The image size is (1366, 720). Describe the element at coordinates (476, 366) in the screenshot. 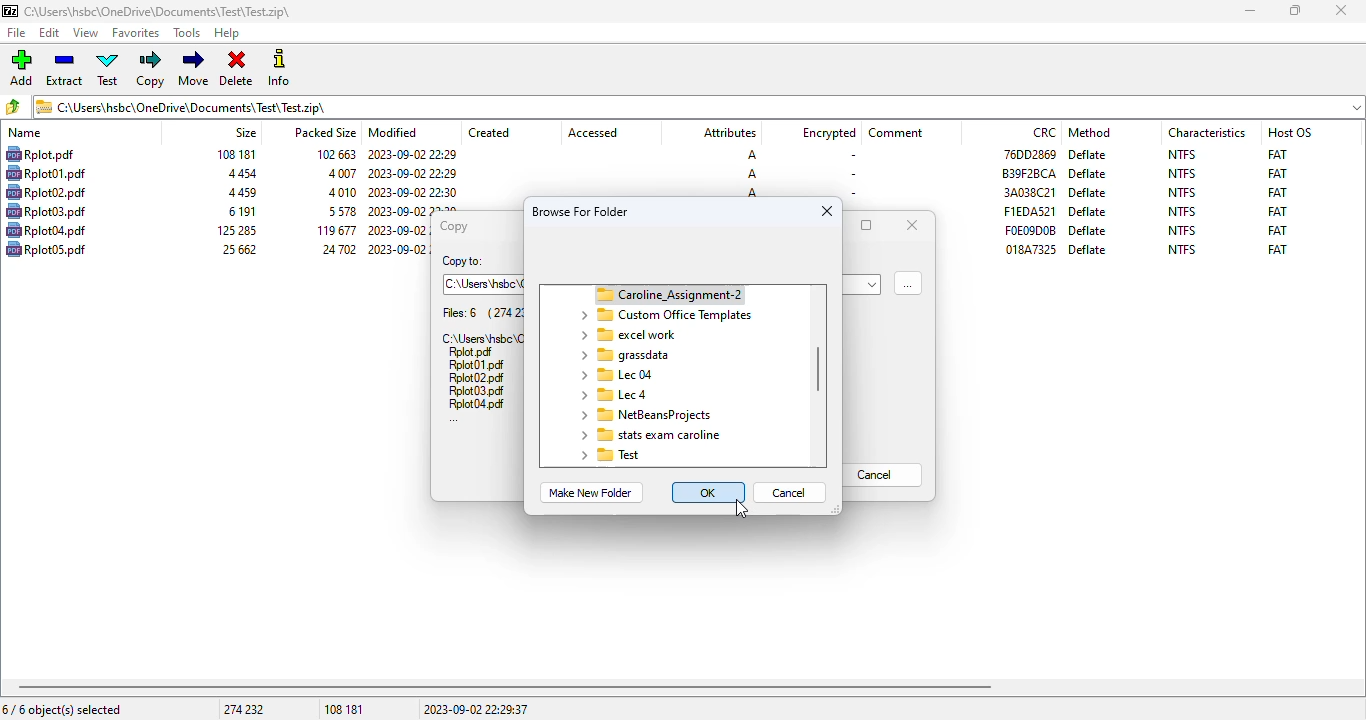

I see `file` at that location.